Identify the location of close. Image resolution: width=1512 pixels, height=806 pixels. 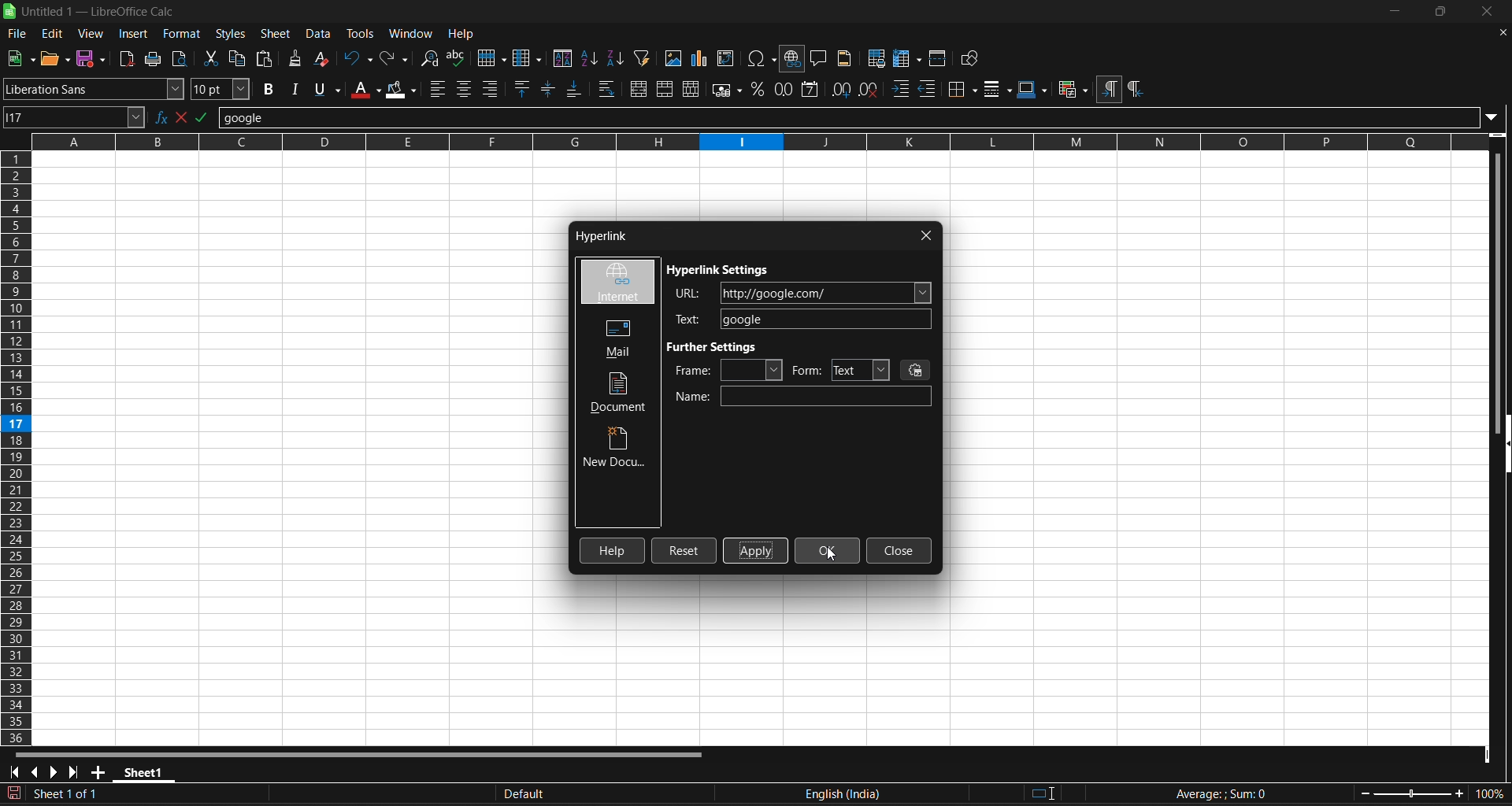
(1484, 11).